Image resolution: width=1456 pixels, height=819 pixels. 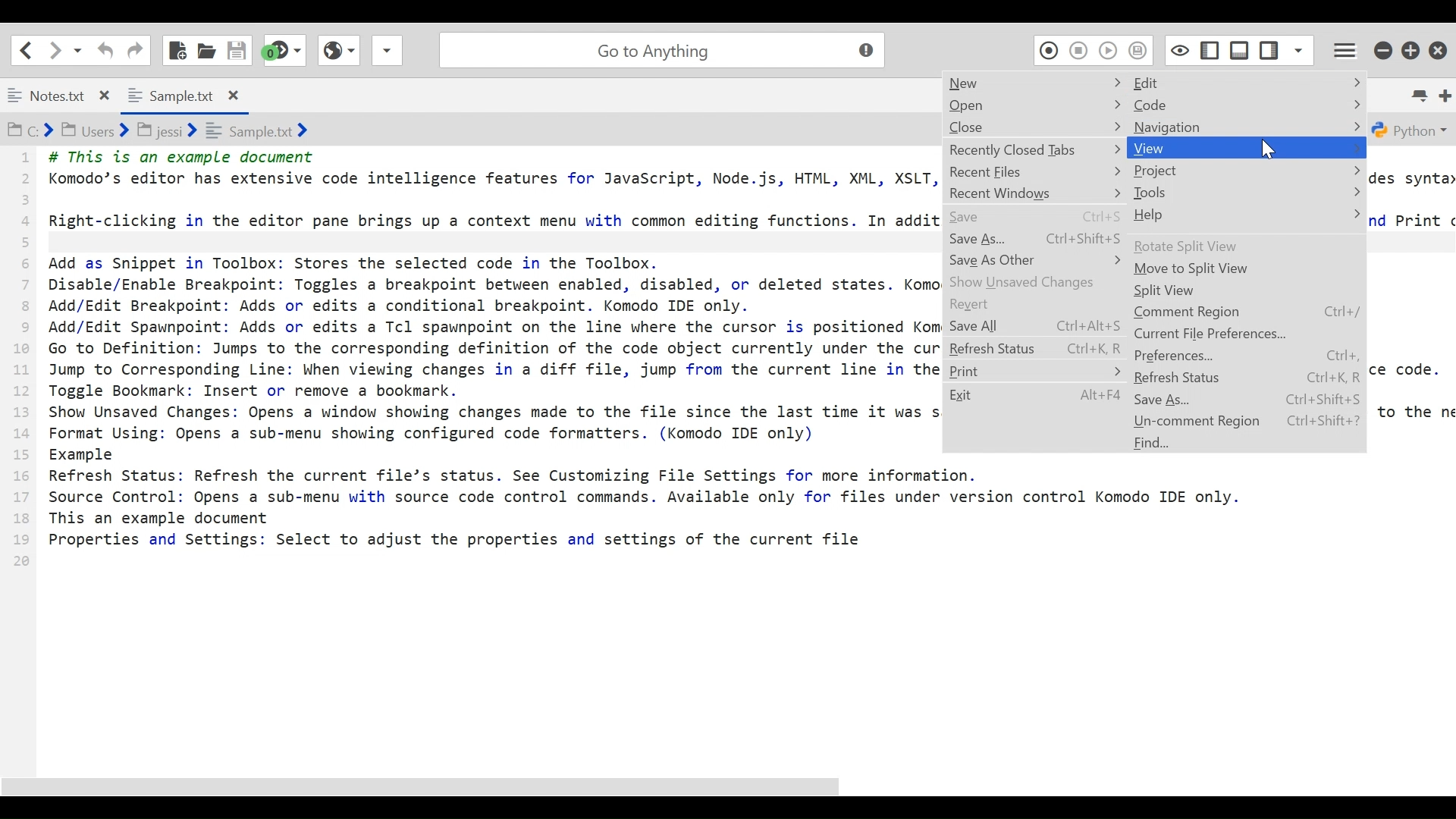 I want to click on Save As... Ctrl+Shift+S, so click(x=1247, y=399).